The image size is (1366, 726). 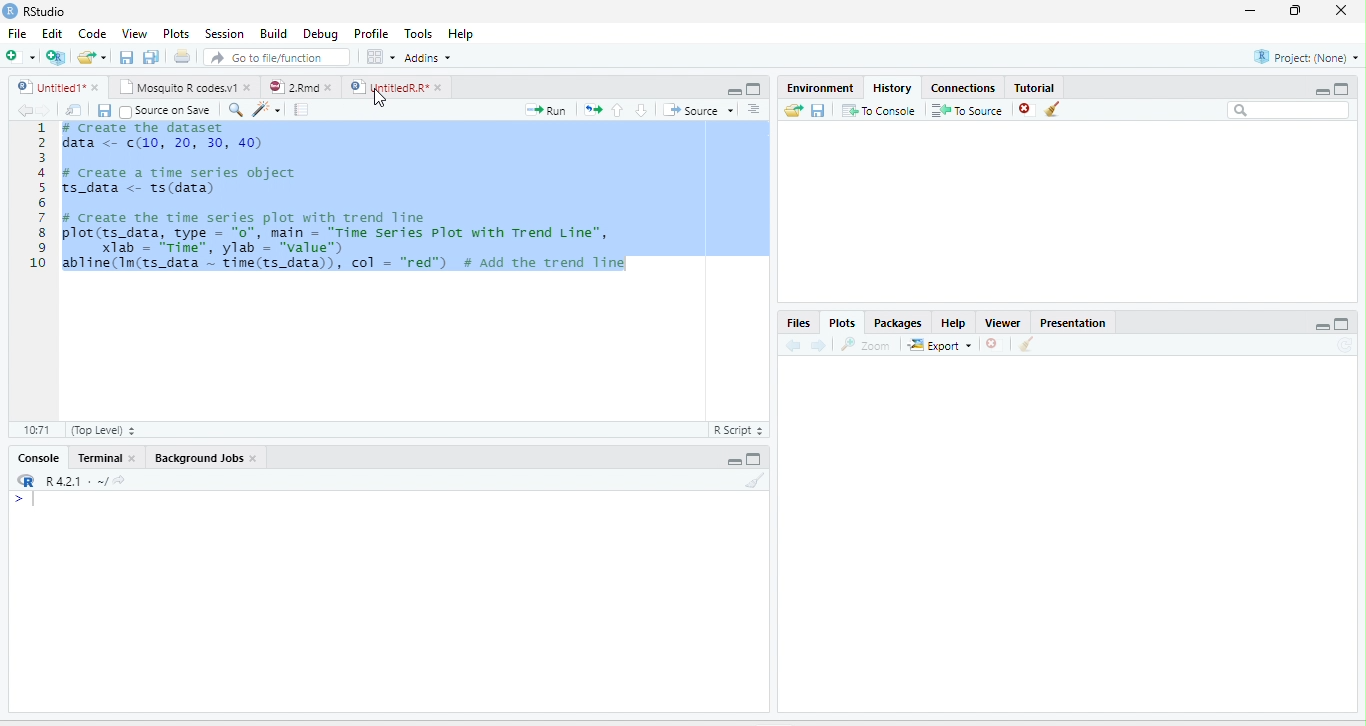 What do you see at coordinates (1346, 345) in the screenshot?
I see `Refresh current plot` at bounding box center [1346, 345].